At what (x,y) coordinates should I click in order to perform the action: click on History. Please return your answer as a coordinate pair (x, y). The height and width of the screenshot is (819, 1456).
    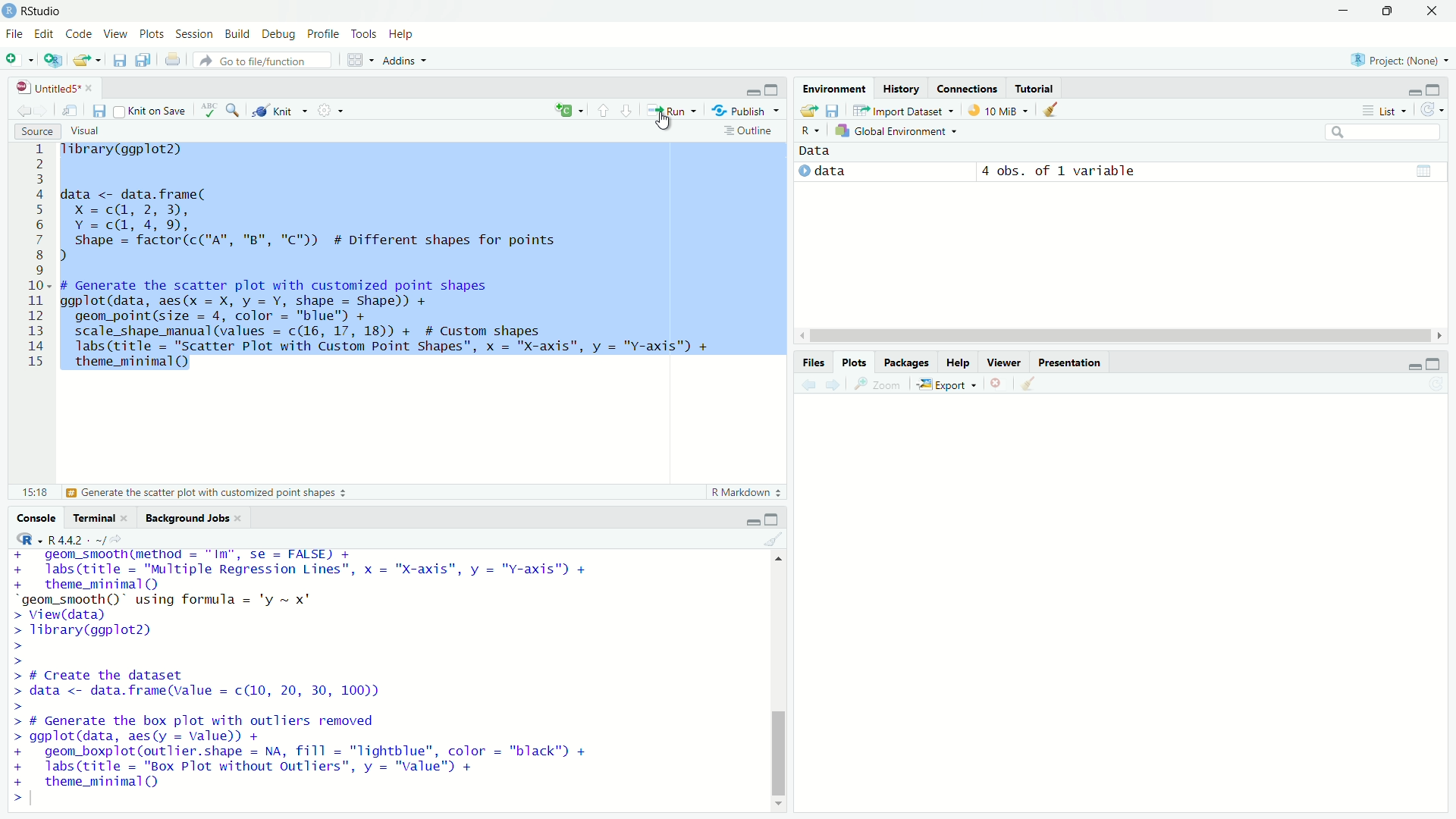
    Looking at the image, I should click on (900, 88).